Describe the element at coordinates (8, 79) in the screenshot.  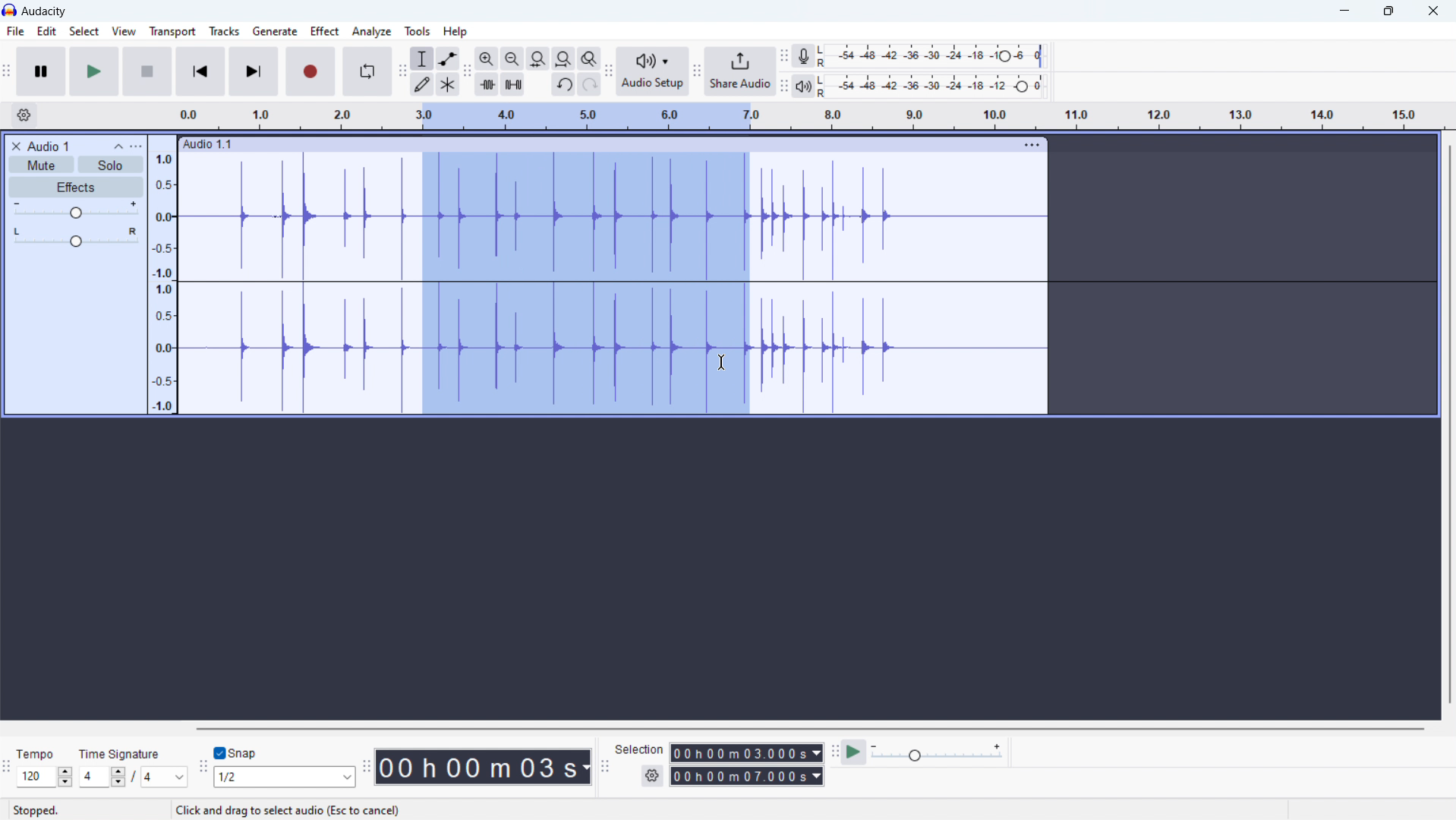
I see `transport tool bar` at that location.